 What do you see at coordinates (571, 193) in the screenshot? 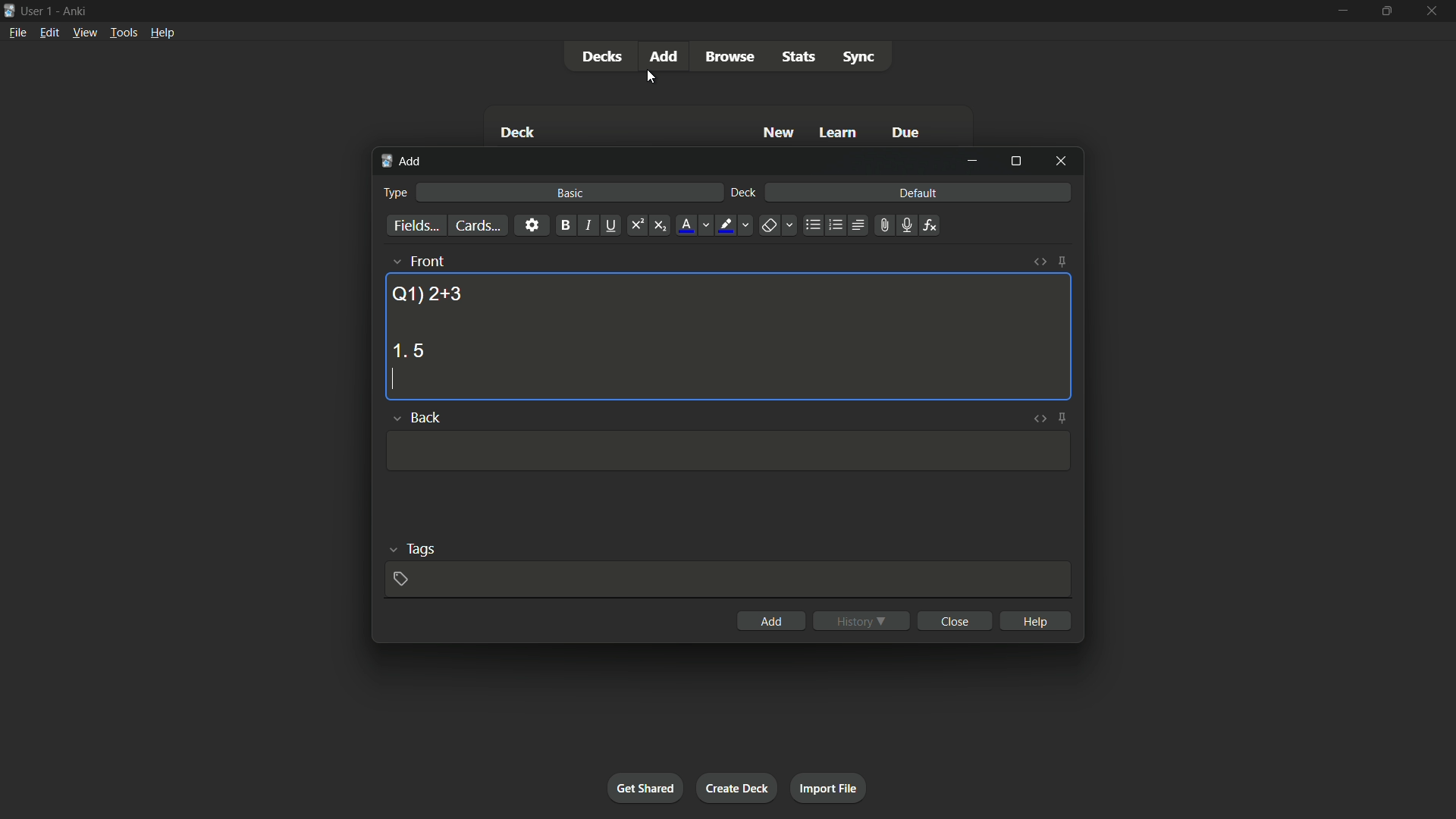
I see `basic` at bounding box center [571, 193].